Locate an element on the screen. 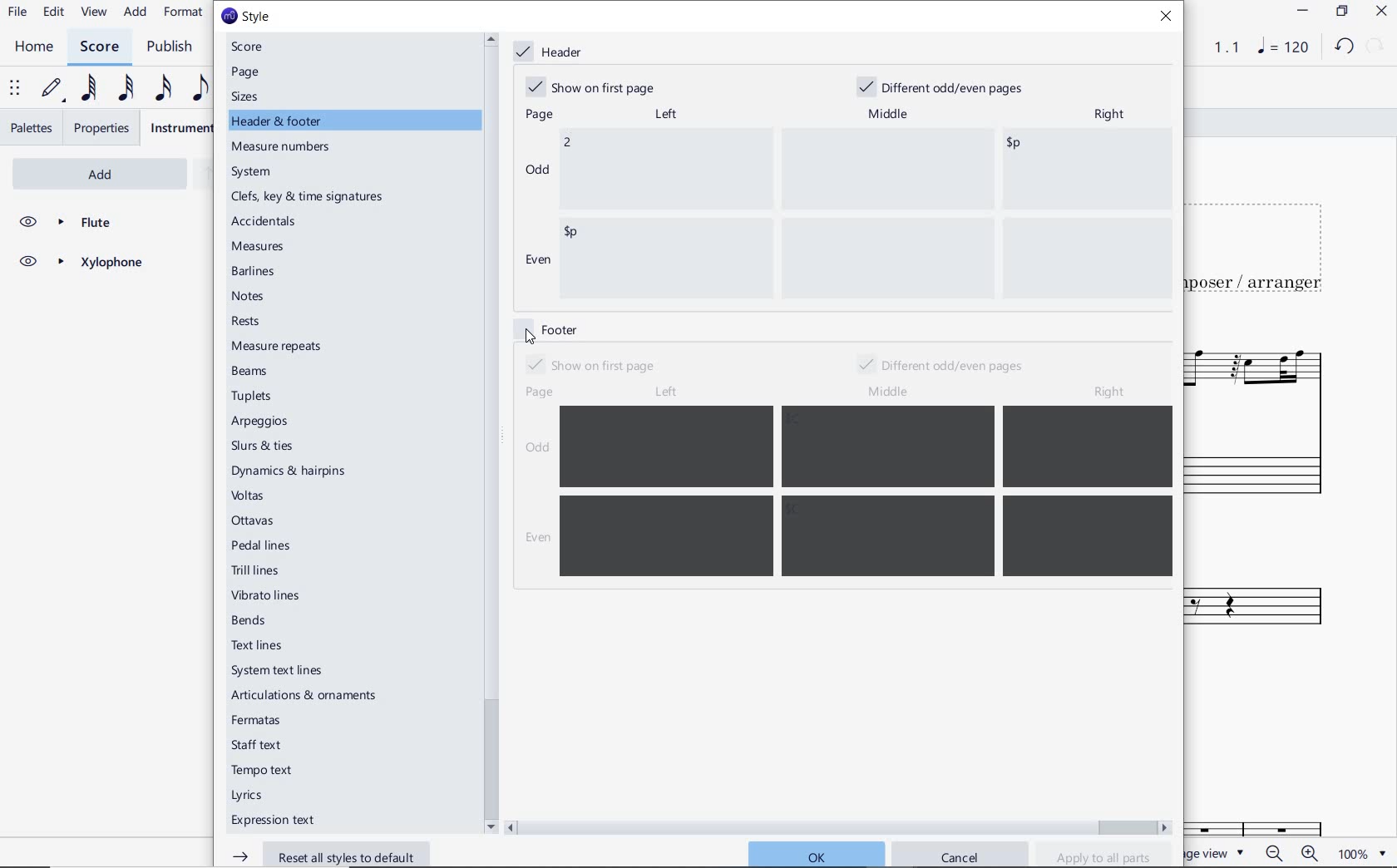 This screenshot has width=1397, height=868. bends is located at coordinates (252, 621).